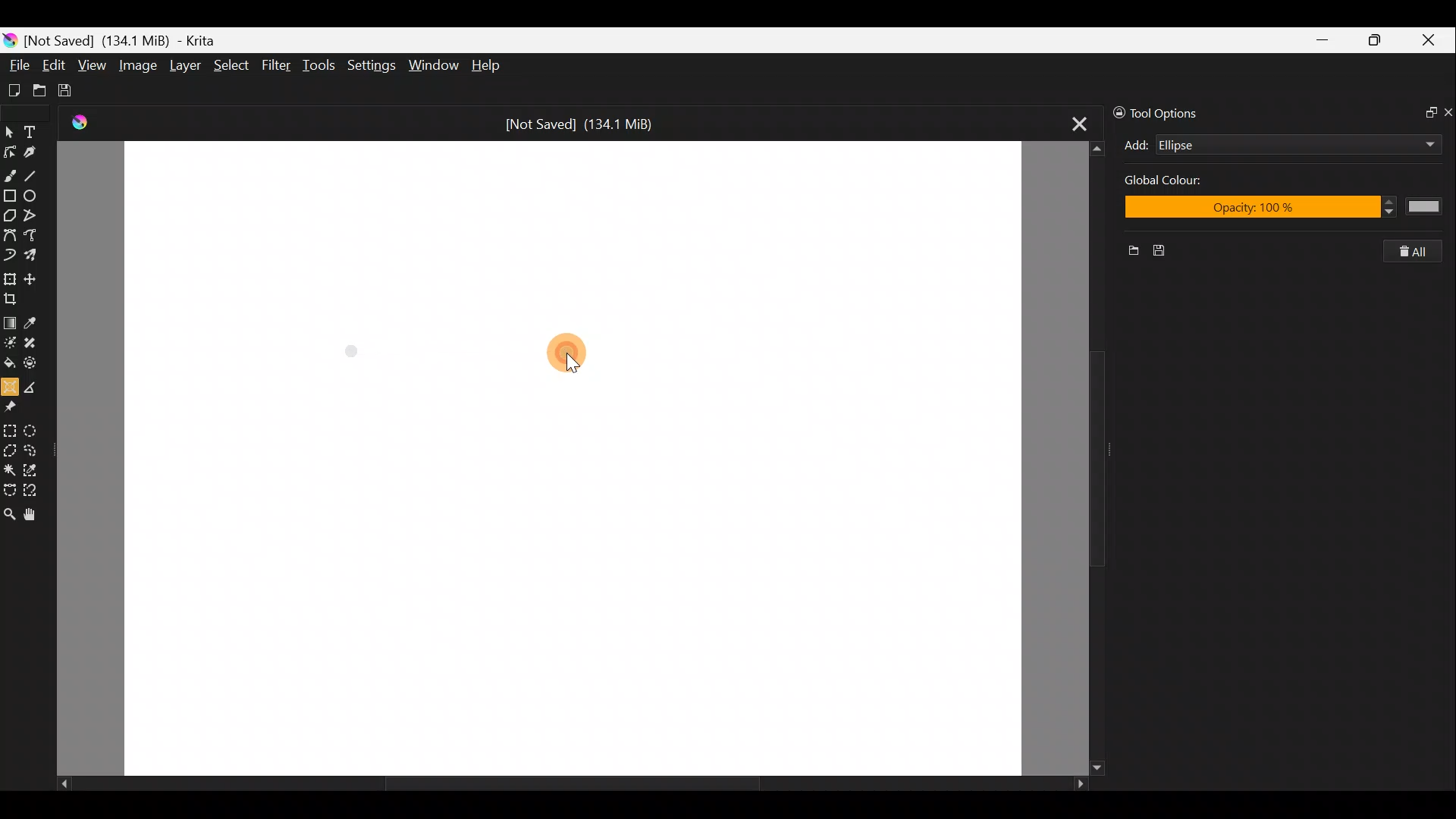 The image size is (1456, 819). What do you see at coordinates (10, 468) in the screenshot?
I see `Contiguous selection tool` at bounding box center [10, 468].